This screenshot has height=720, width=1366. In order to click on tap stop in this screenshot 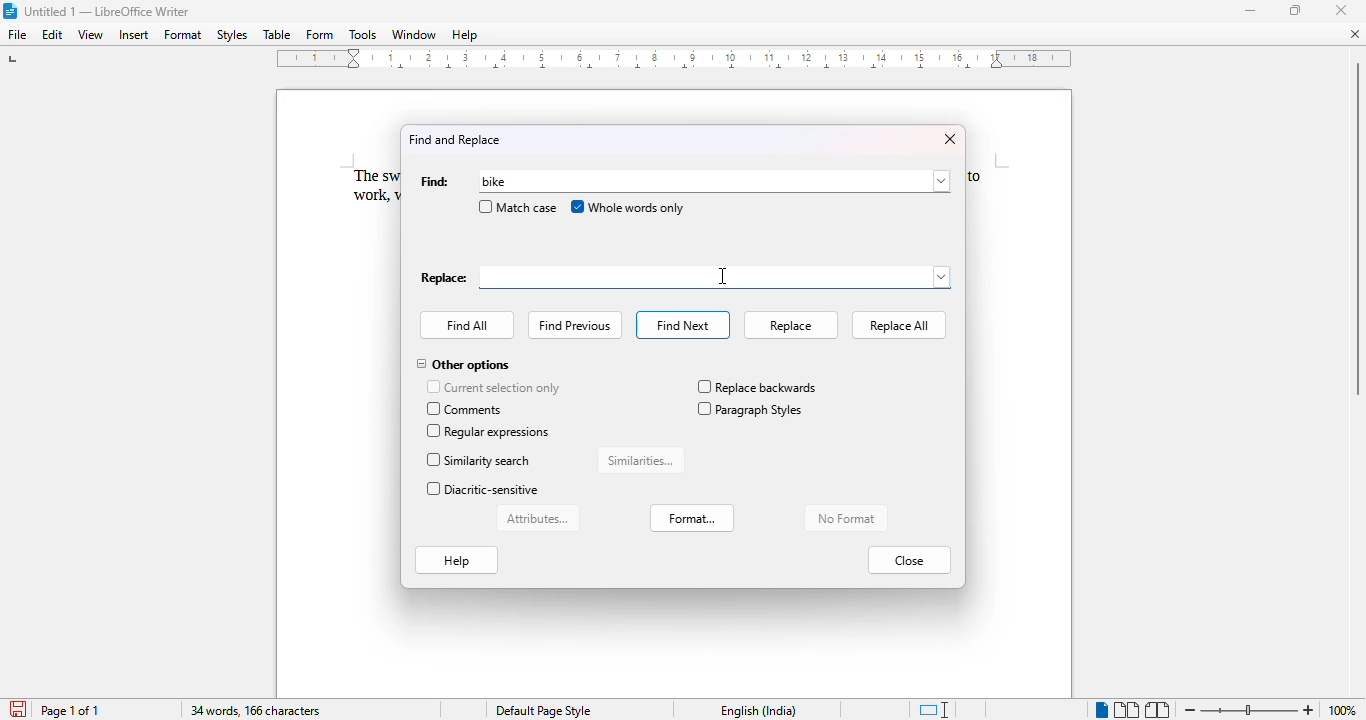, I will do `click(14, 62)`.